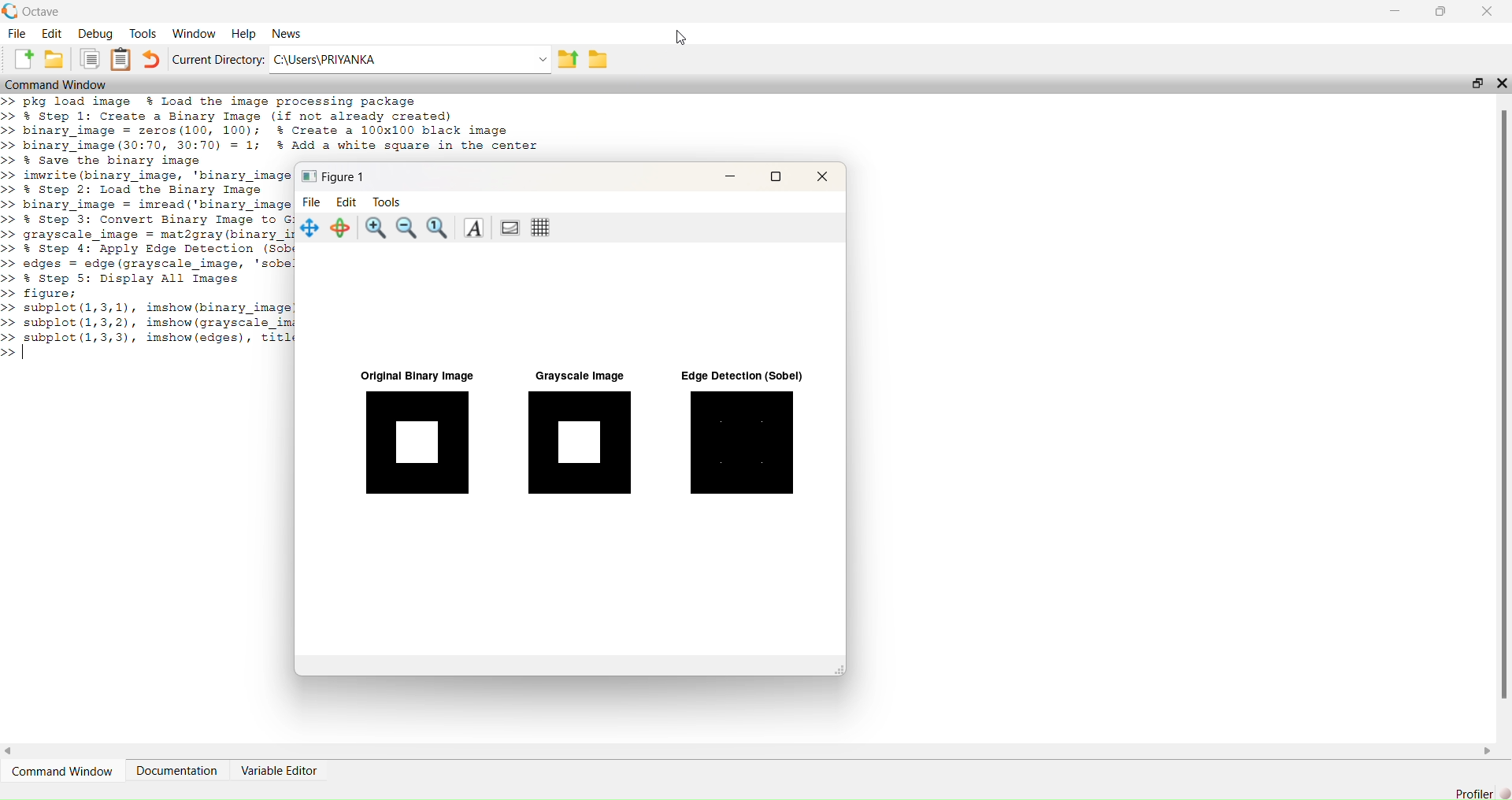  I want to click on Edge Detection (Sobel), so click(742, 376).